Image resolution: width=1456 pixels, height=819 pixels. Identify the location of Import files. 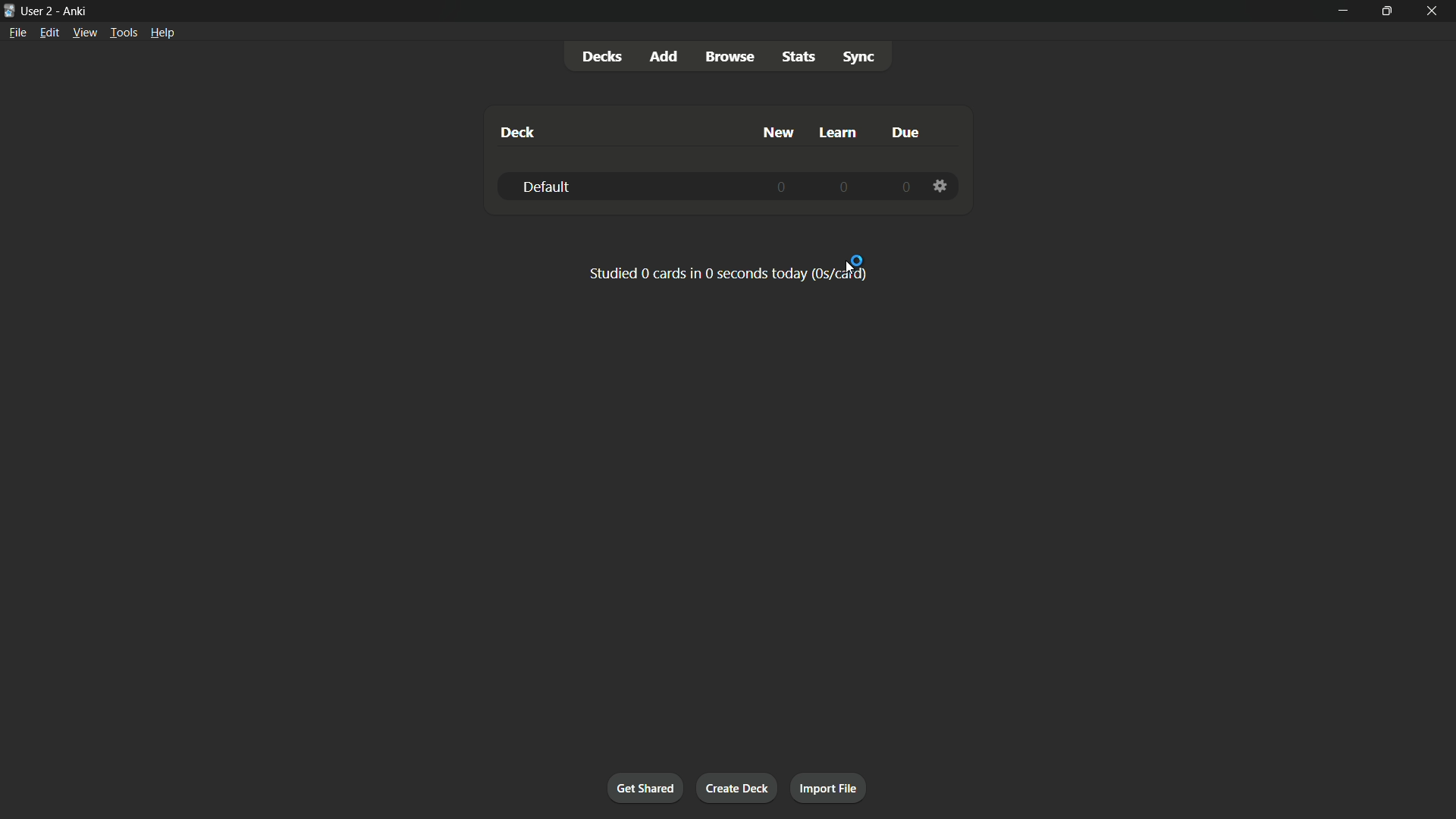
(830, 789).